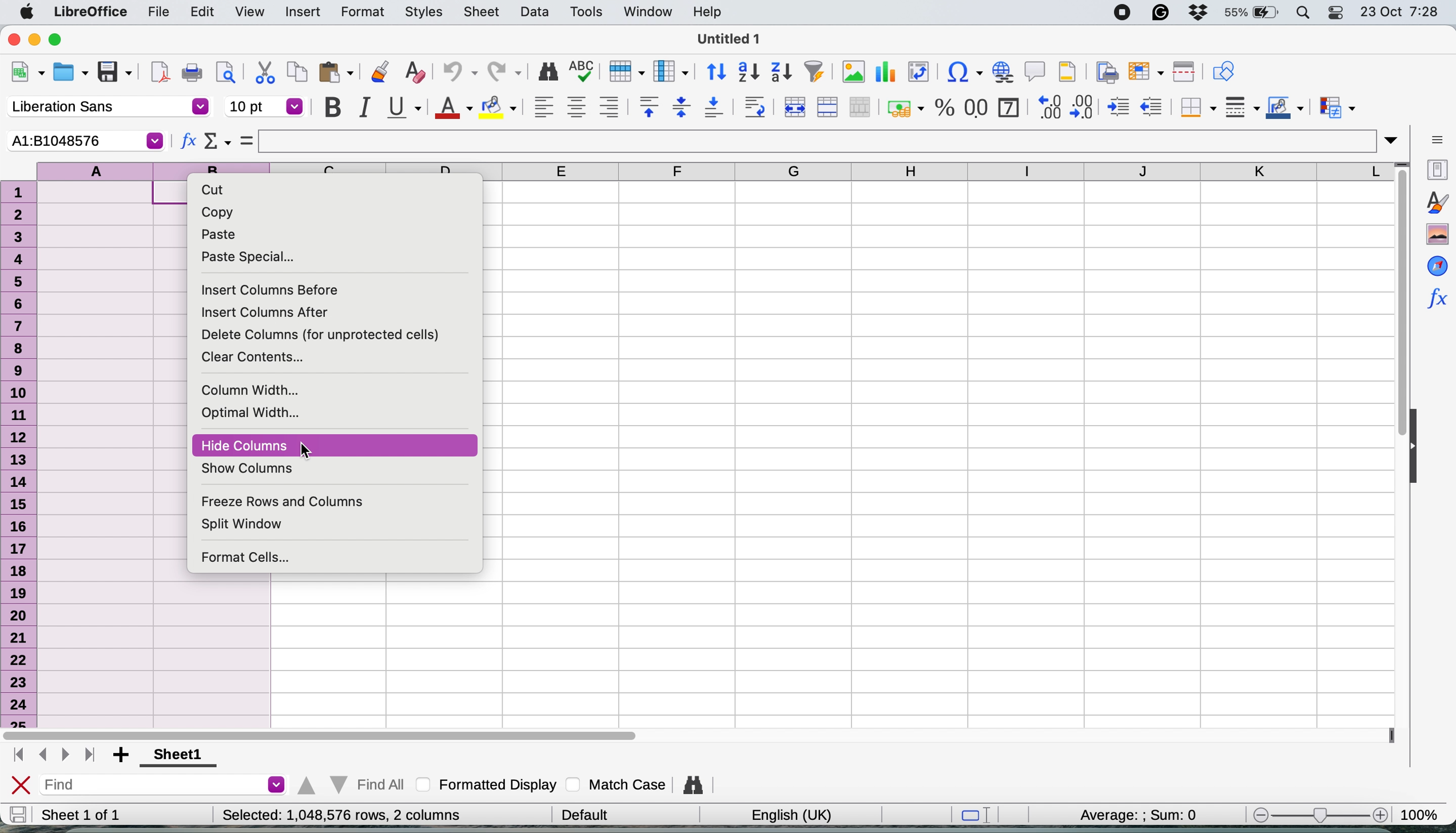 This screenshot has width=1456, height=833. Describe the element at coordinates (222, 236) in the screenshot. I see `paste` at that location.